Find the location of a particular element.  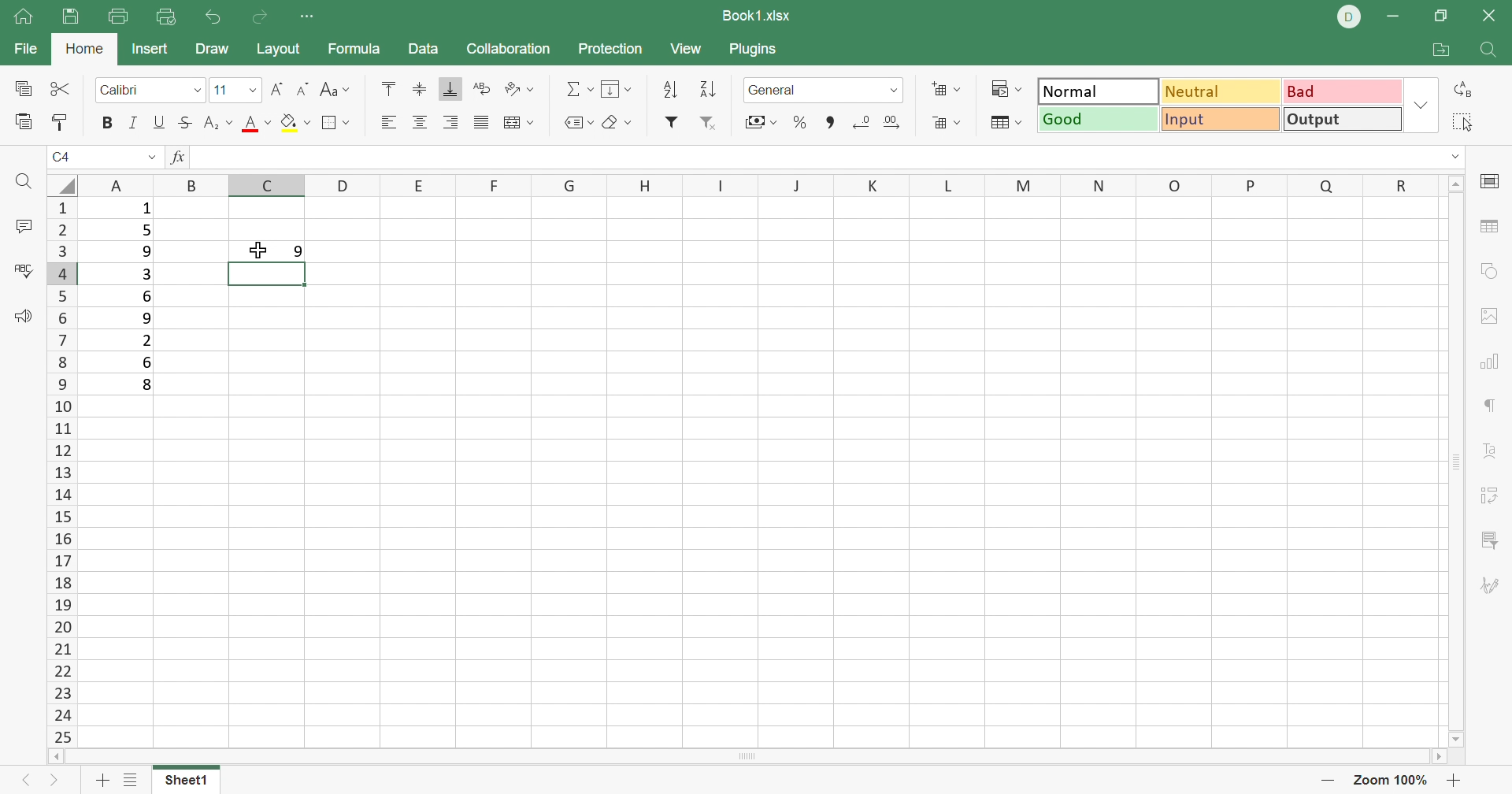

Drop Down is located at coordinates (252, 90).